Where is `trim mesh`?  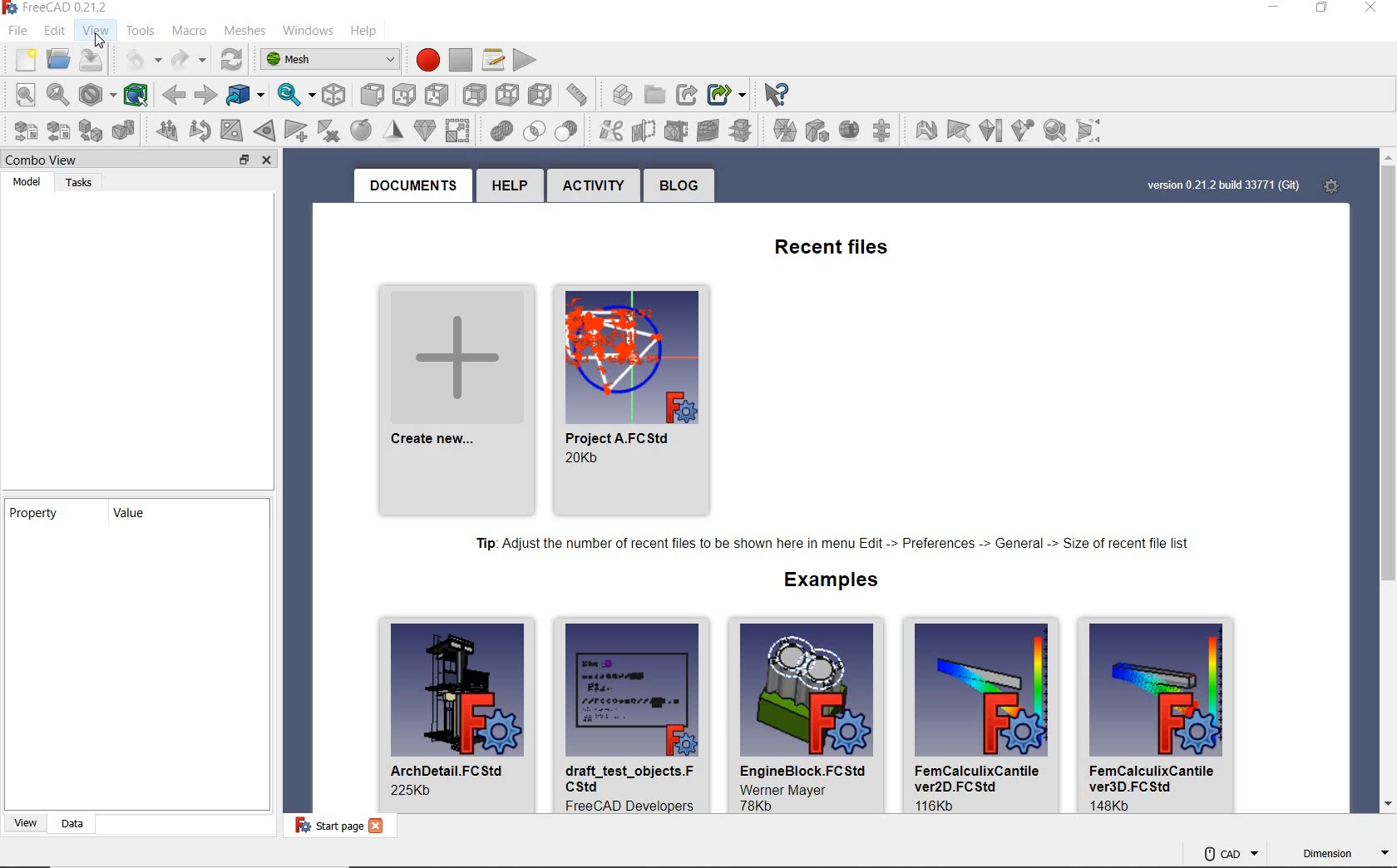
trim mesh is located at coordinates (610, 130).